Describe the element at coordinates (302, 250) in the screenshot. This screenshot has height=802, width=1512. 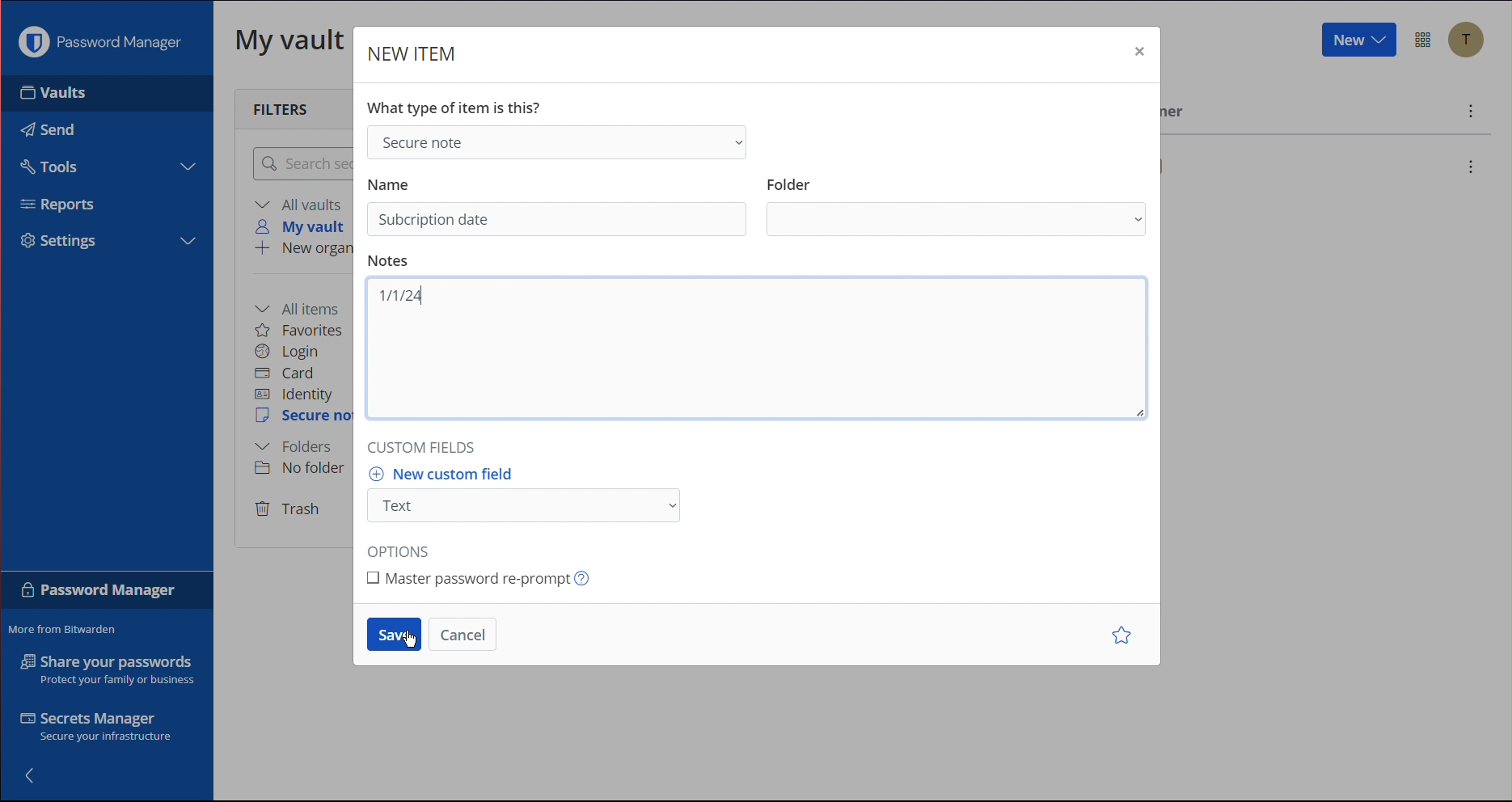
I see `New organization` at that location.